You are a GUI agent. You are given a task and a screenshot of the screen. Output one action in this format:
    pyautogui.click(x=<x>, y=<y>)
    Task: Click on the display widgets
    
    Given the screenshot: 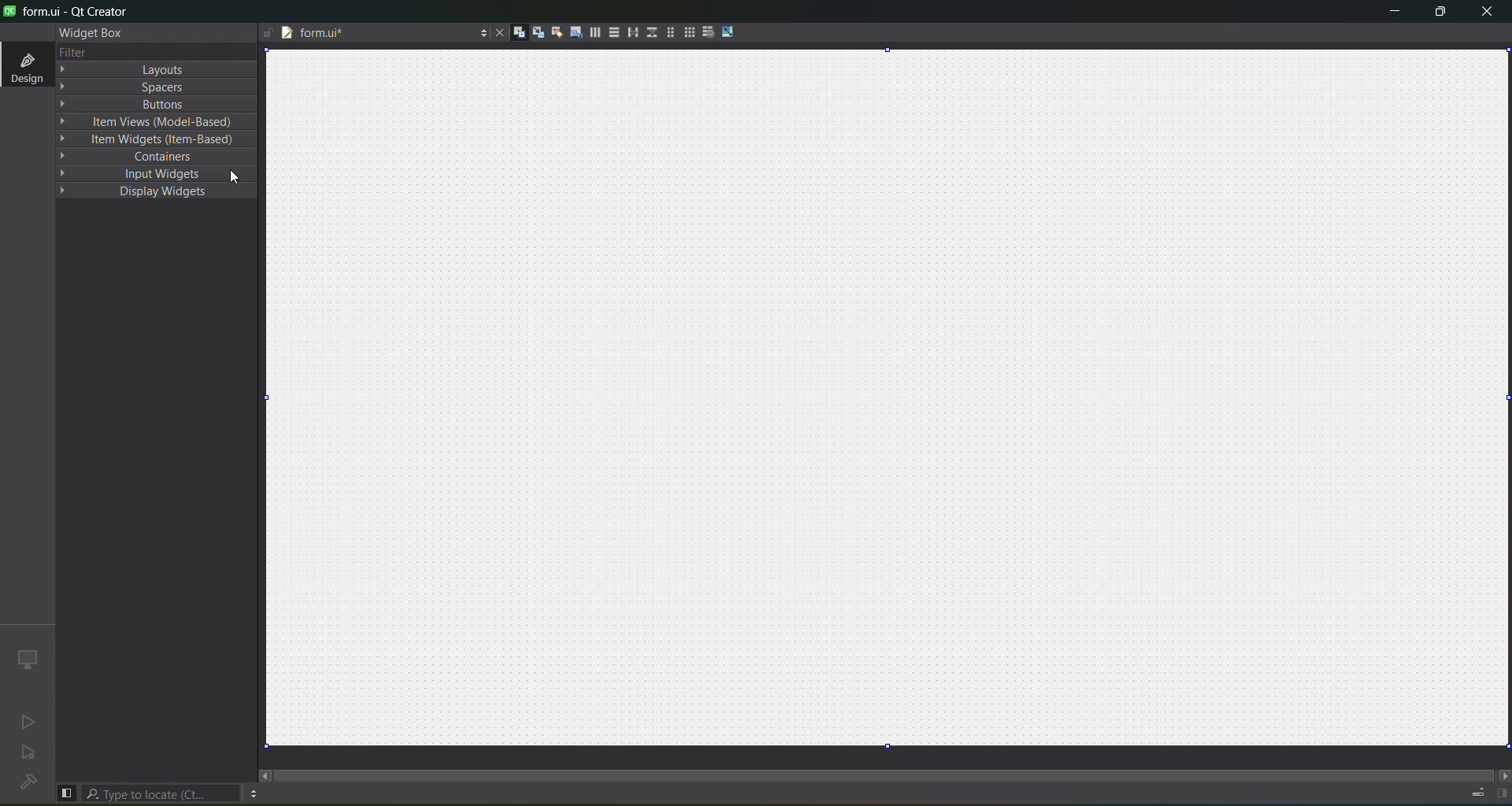 What is the action you would take?
    pyautogui.click(x=132, y=192)
    